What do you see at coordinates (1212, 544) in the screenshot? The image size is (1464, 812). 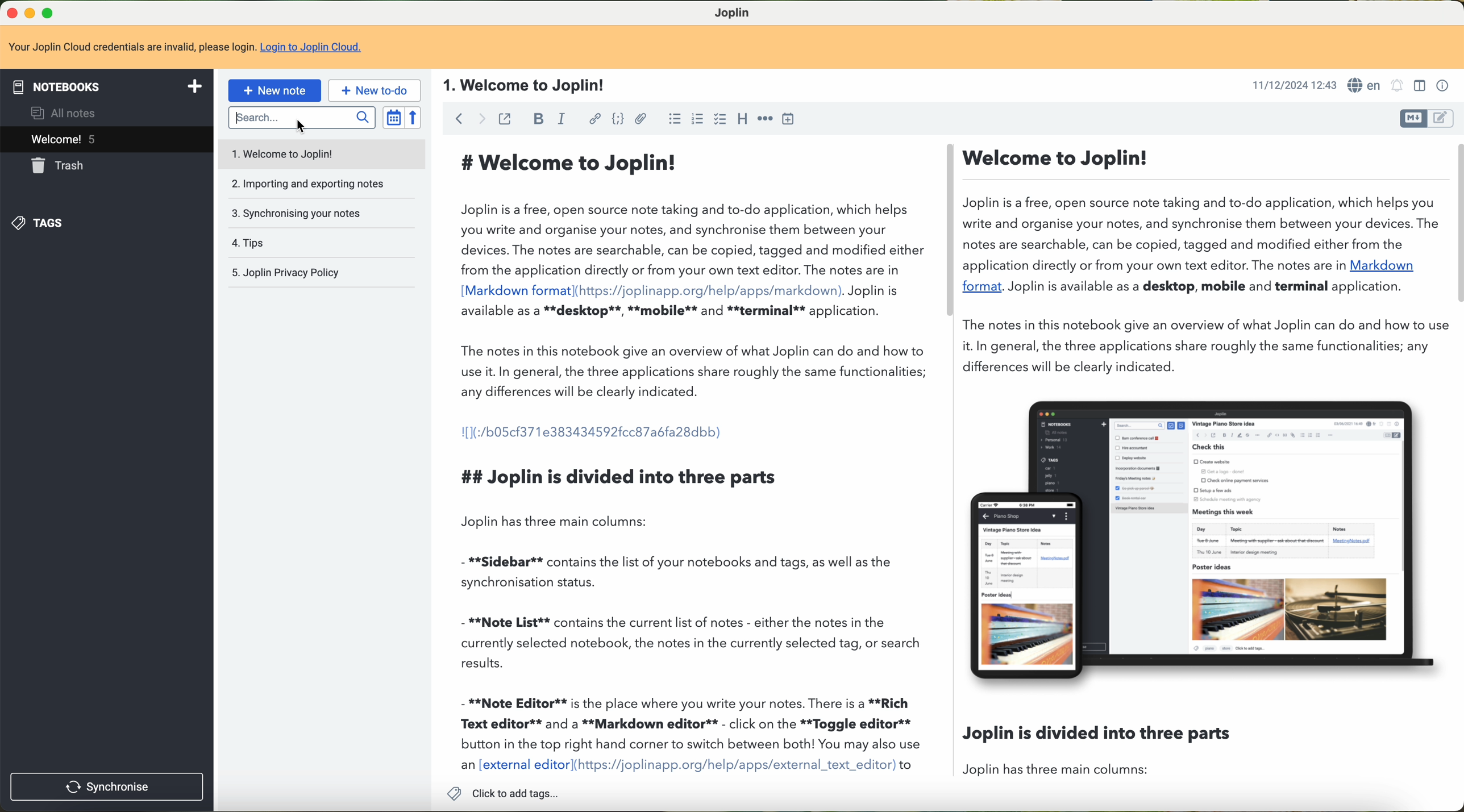 I see `image` at bounding box center [1212, 544].